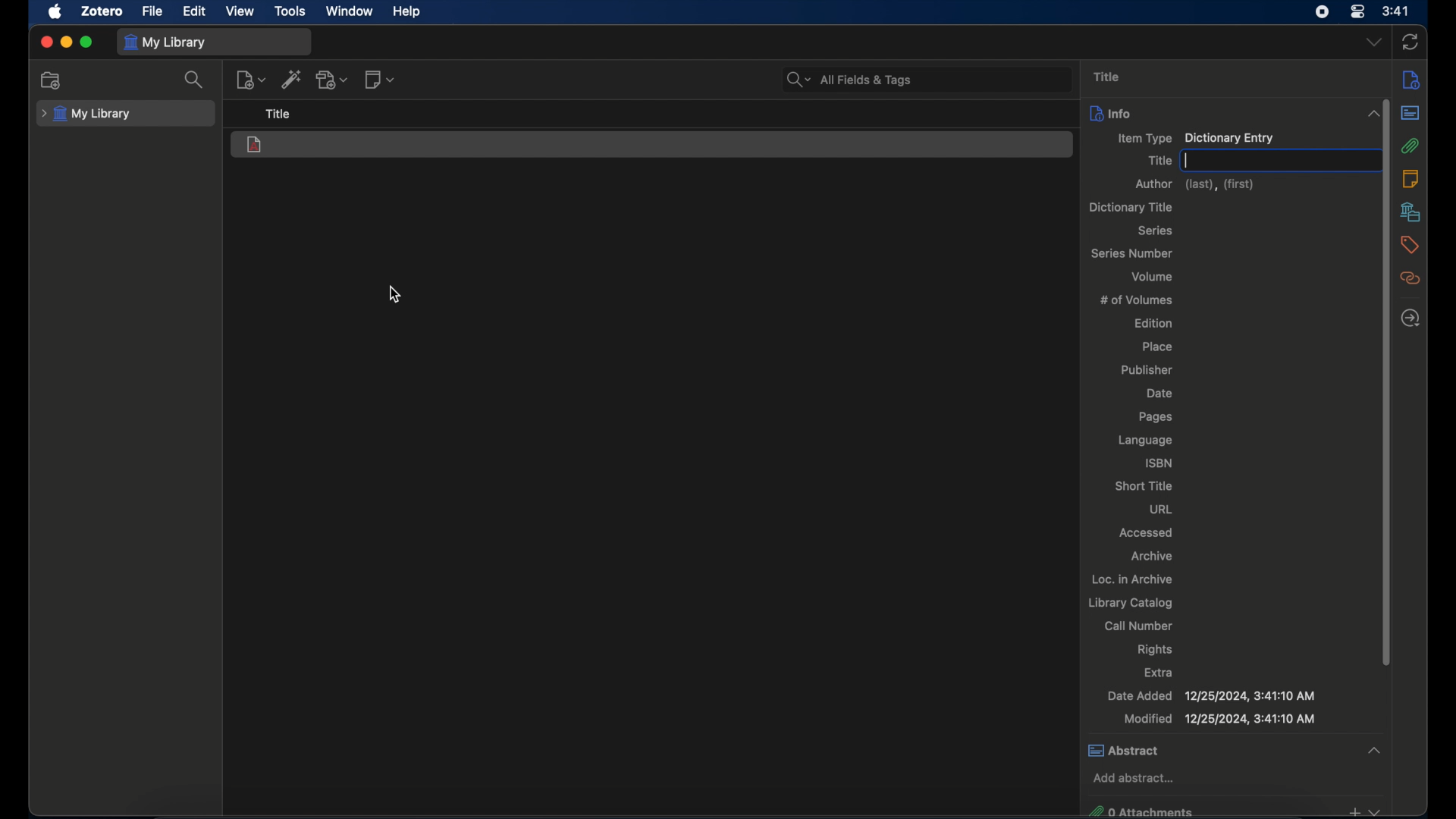  What do you see at coordinates (381, 79) in the screenshot?
I see `new notes` at bounding box center [381, 79].